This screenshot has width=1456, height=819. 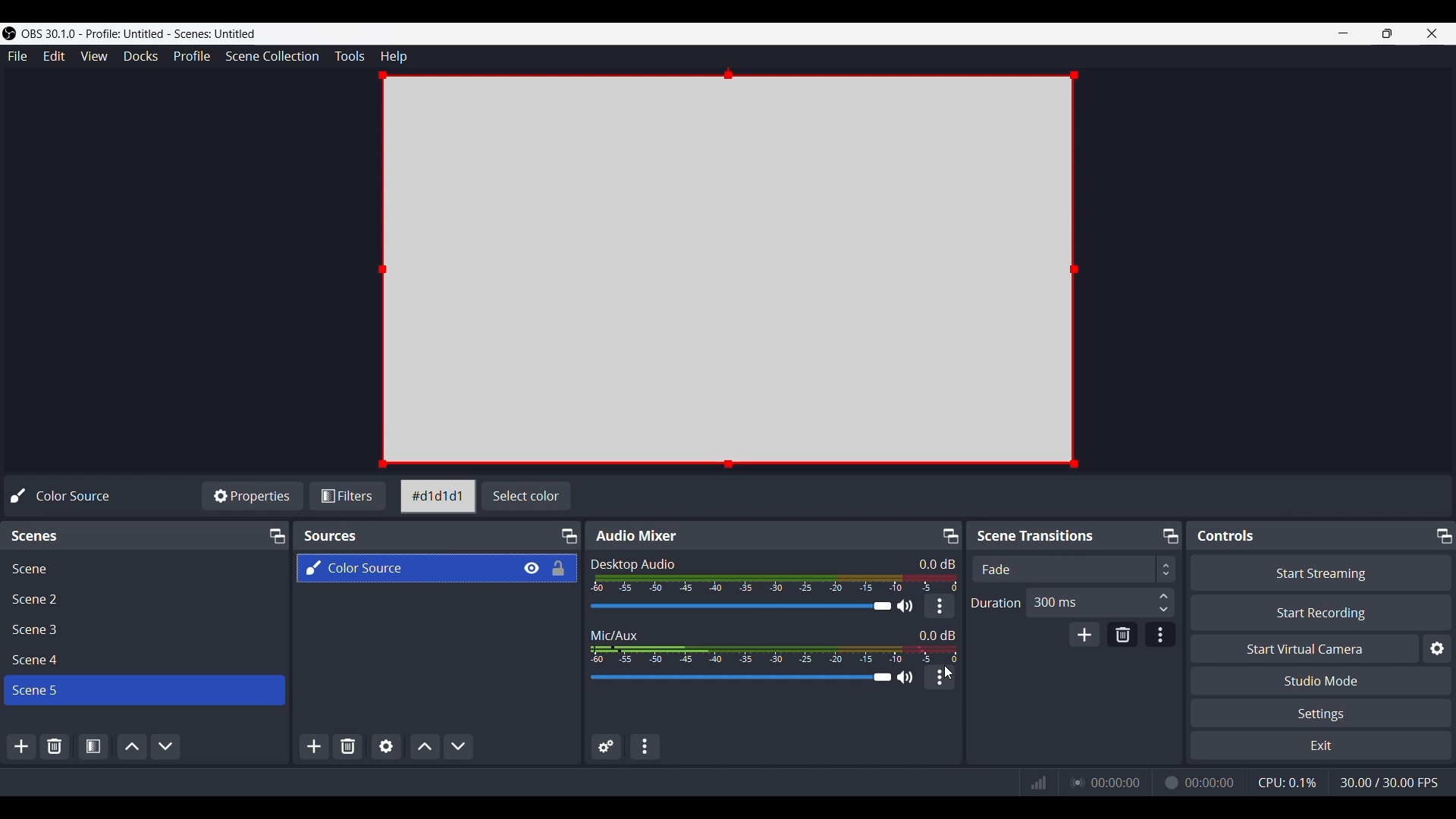 What do you see at coordinates (565, 535) in the screenshot?
I see `Maximize` at bounding box center [565, 535].